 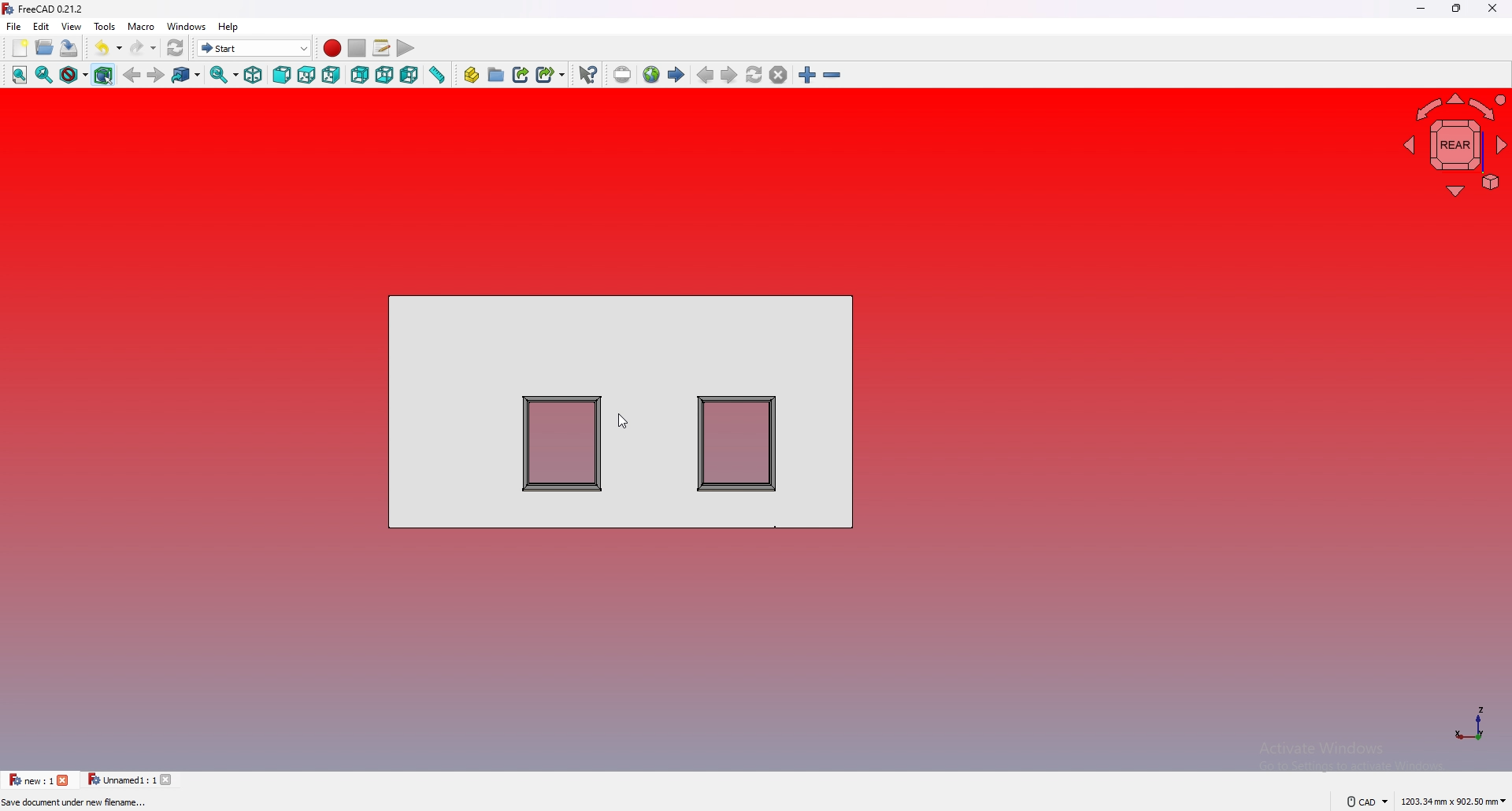 What do you see at coordinates (1455, 142) in the screenshot?
I see `navigating cube` at bounding box center [1455, 142].